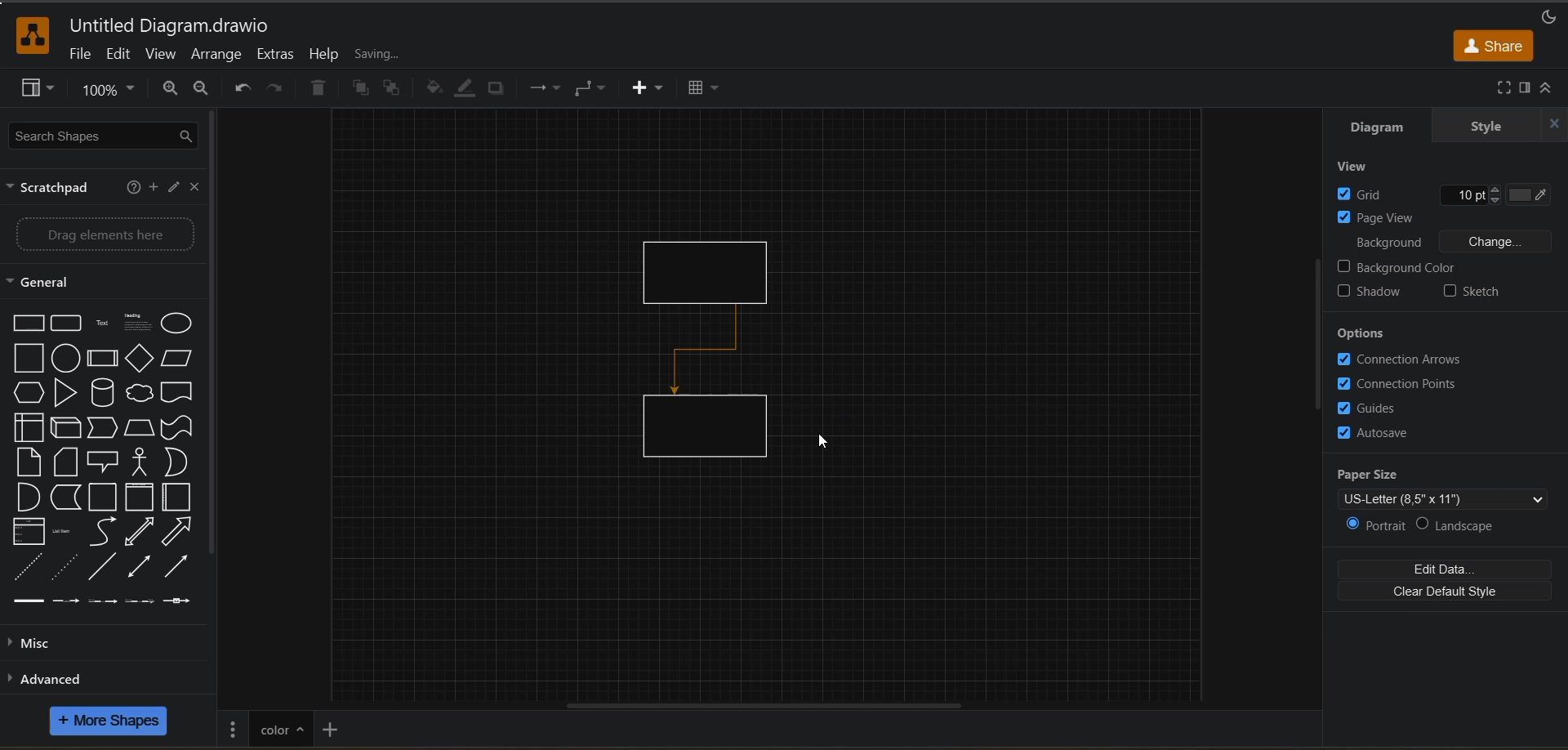 The height and width of the screenshot is (750, 1568). I want to click on guides, so click(1368, 406).